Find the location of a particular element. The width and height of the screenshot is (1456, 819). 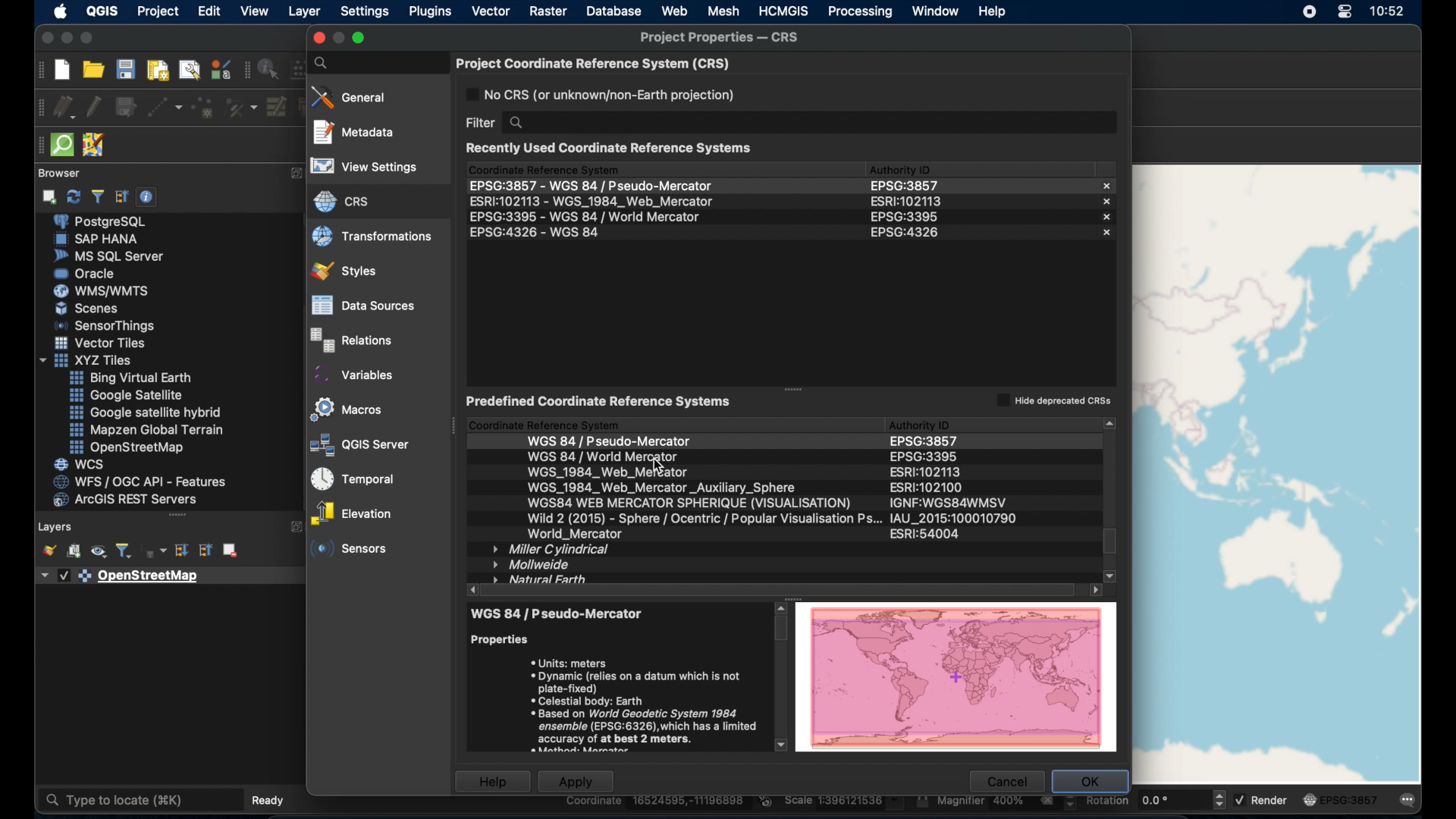

modify attributes is located at coordinates (277, 109).